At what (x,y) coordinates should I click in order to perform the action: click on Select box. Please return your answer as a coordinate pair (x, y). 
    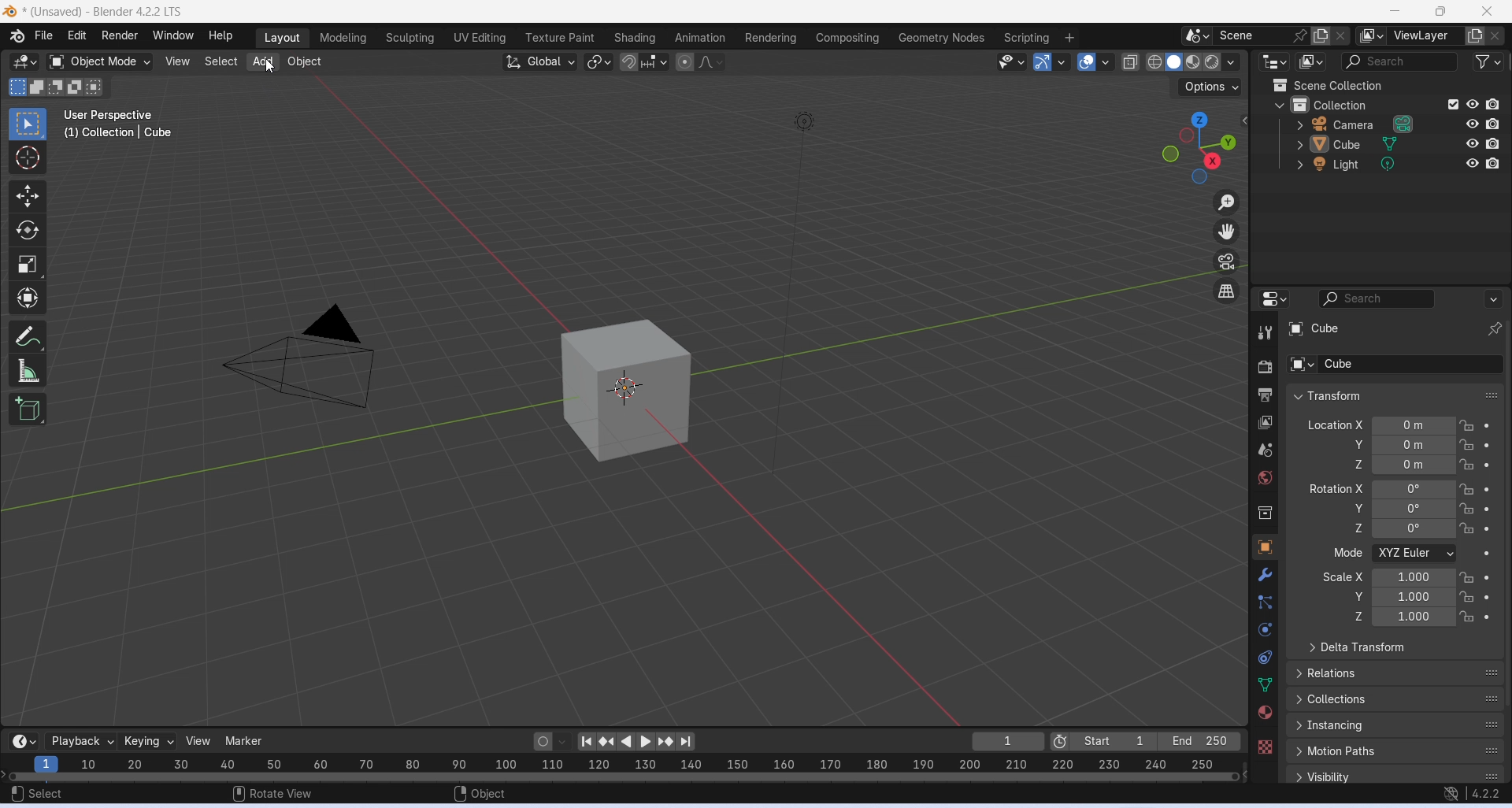
    Looking at the image, I should click on (25, 124).